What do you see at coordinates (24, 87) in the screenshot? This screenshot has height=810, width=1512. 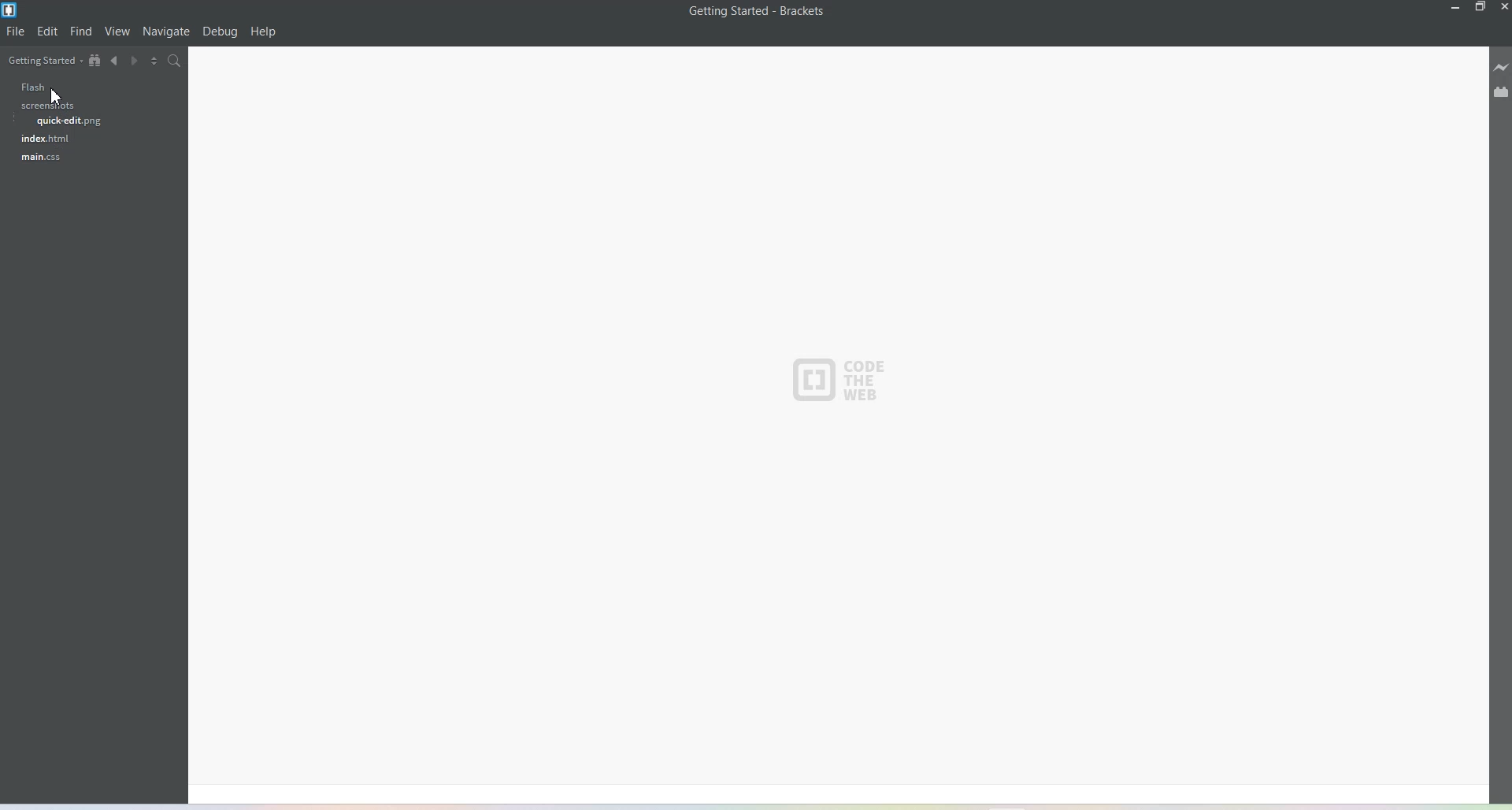 I see `Flash` at bounding box center [24, 87].